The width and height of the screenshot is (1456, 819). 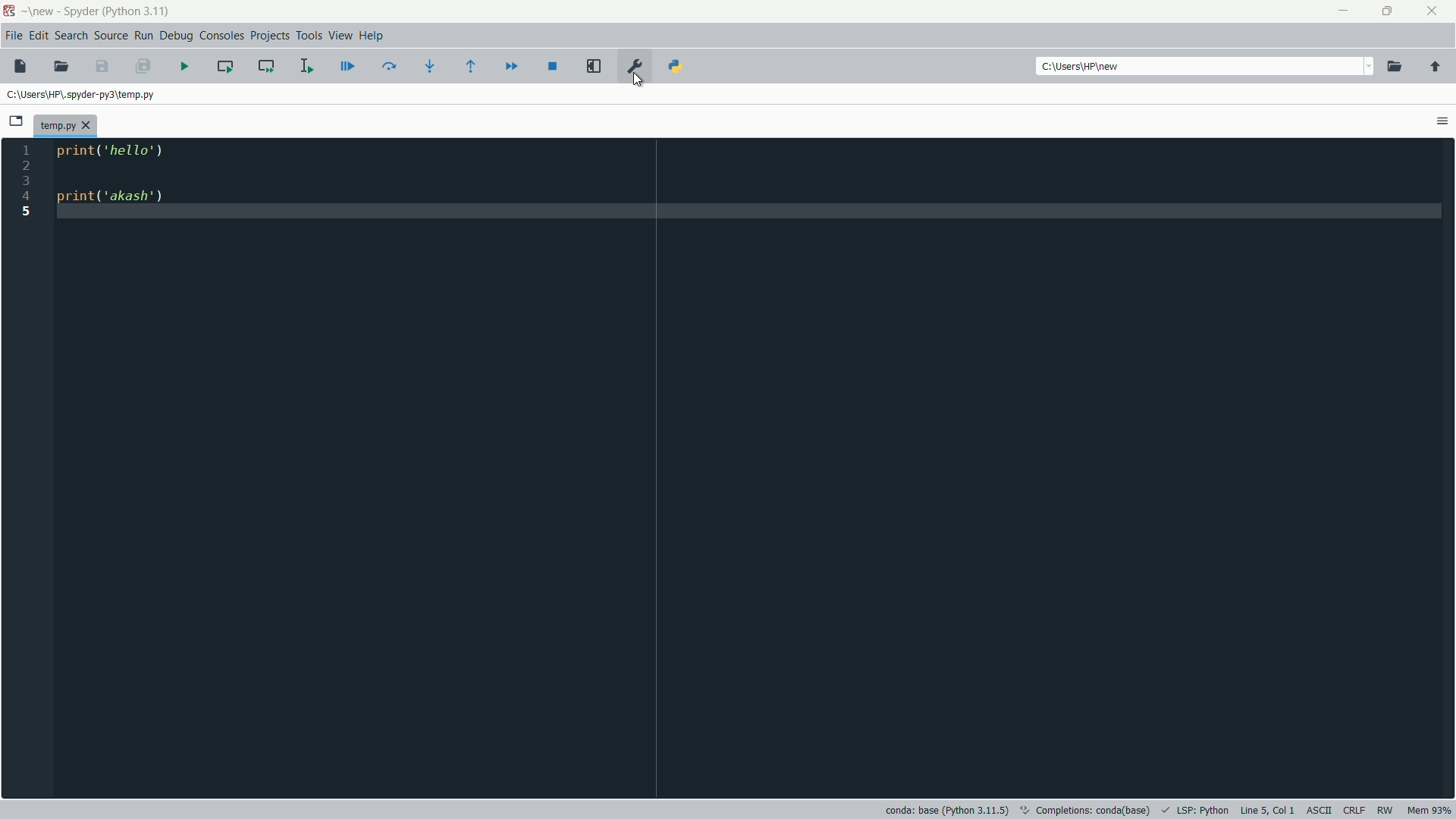 I want to click on run selection, so click(x=306, y=64).